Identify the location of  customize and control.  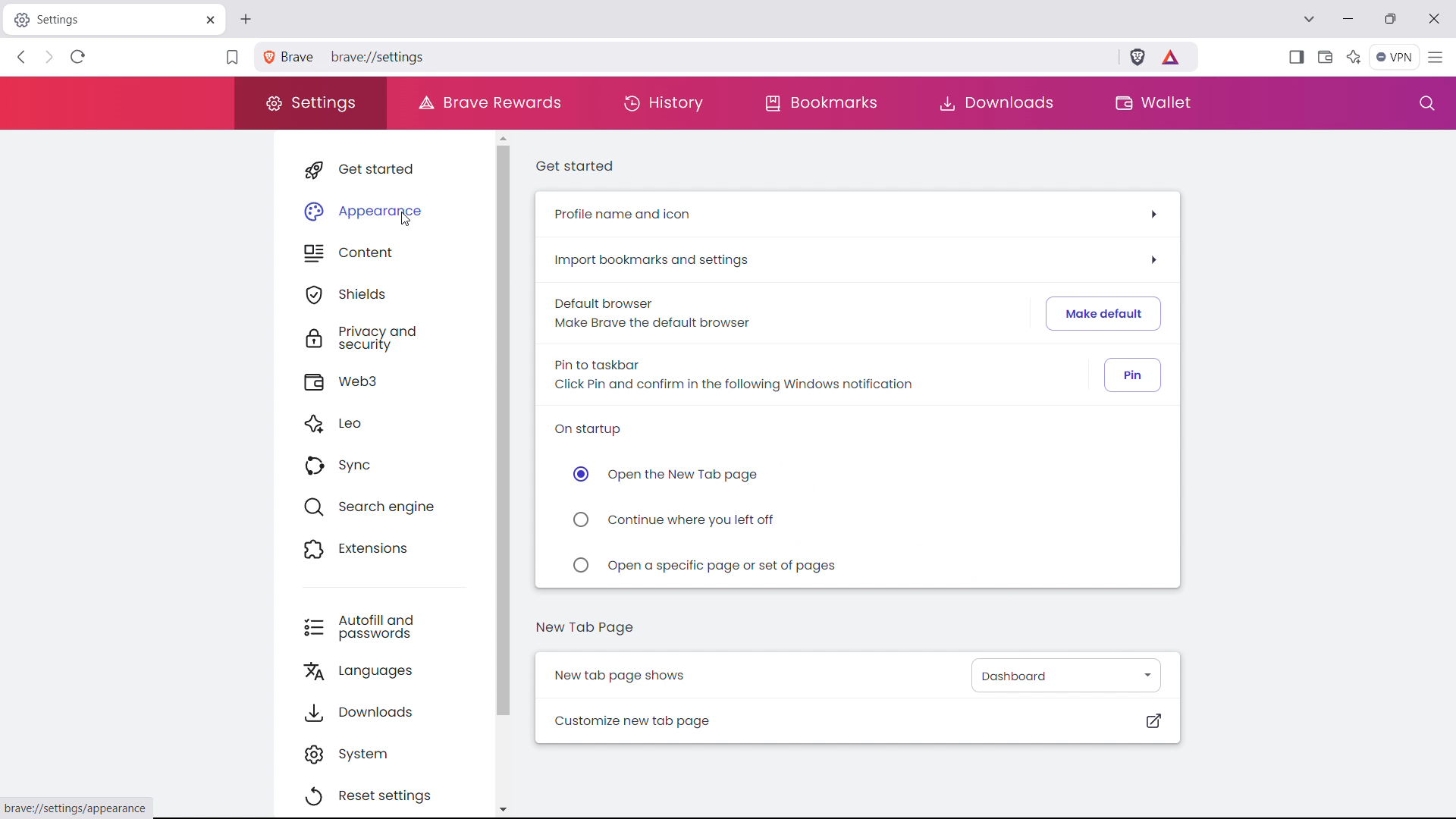
(1437, 56).